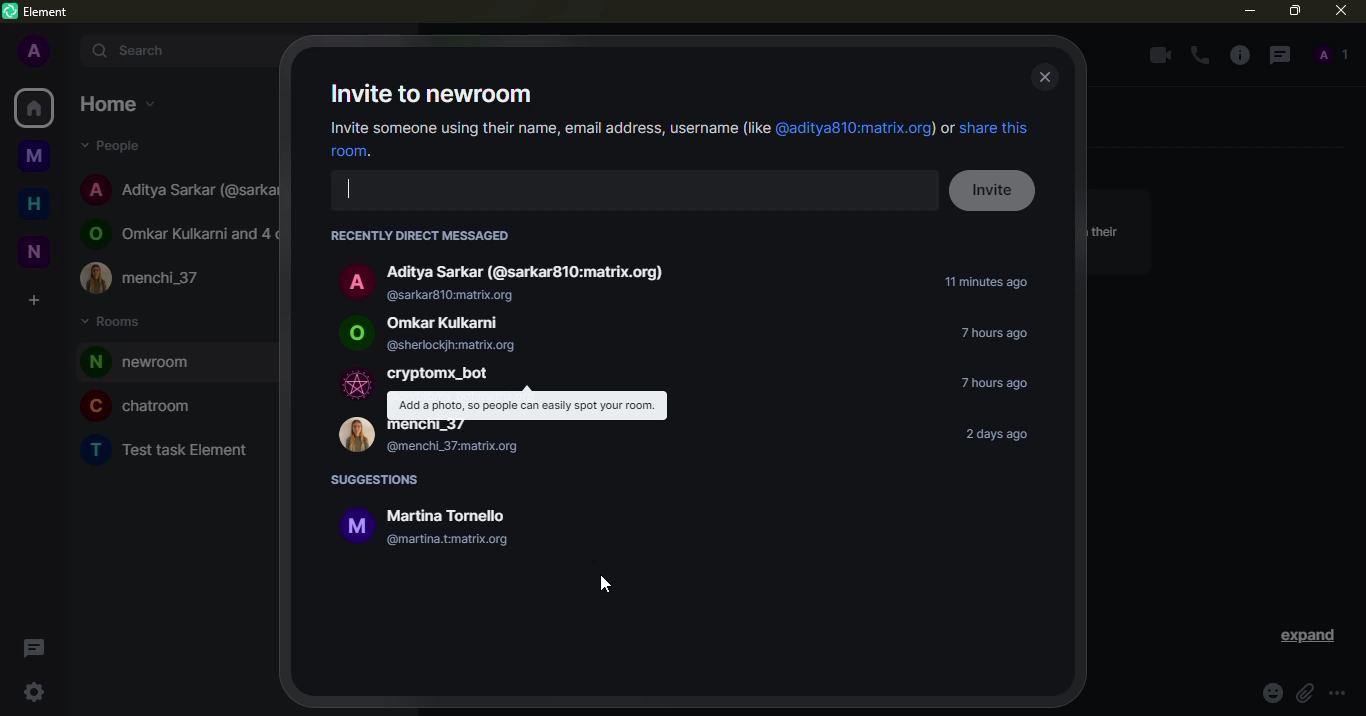 This screenshot has width=1366, height=716. Describe the element at coordinates (677, 138) in the screenshot. I see `Invite someone using their name, email address, username (lie @aditya810:matrix.org) or share this room.` at that location.